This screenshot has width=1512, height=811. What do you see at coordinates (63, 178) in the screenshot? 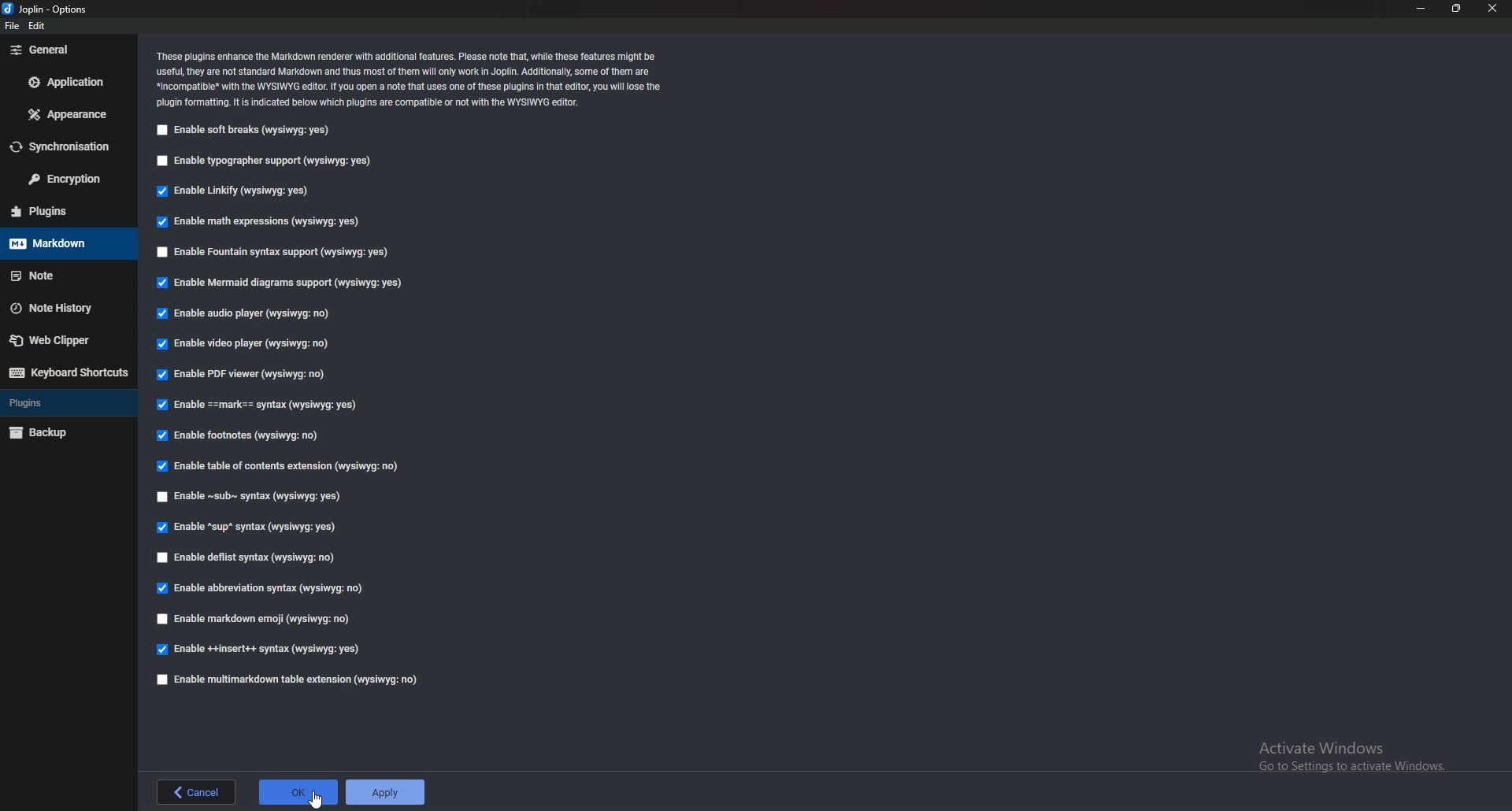
I see `encryption` at bounding box center [63, 178].